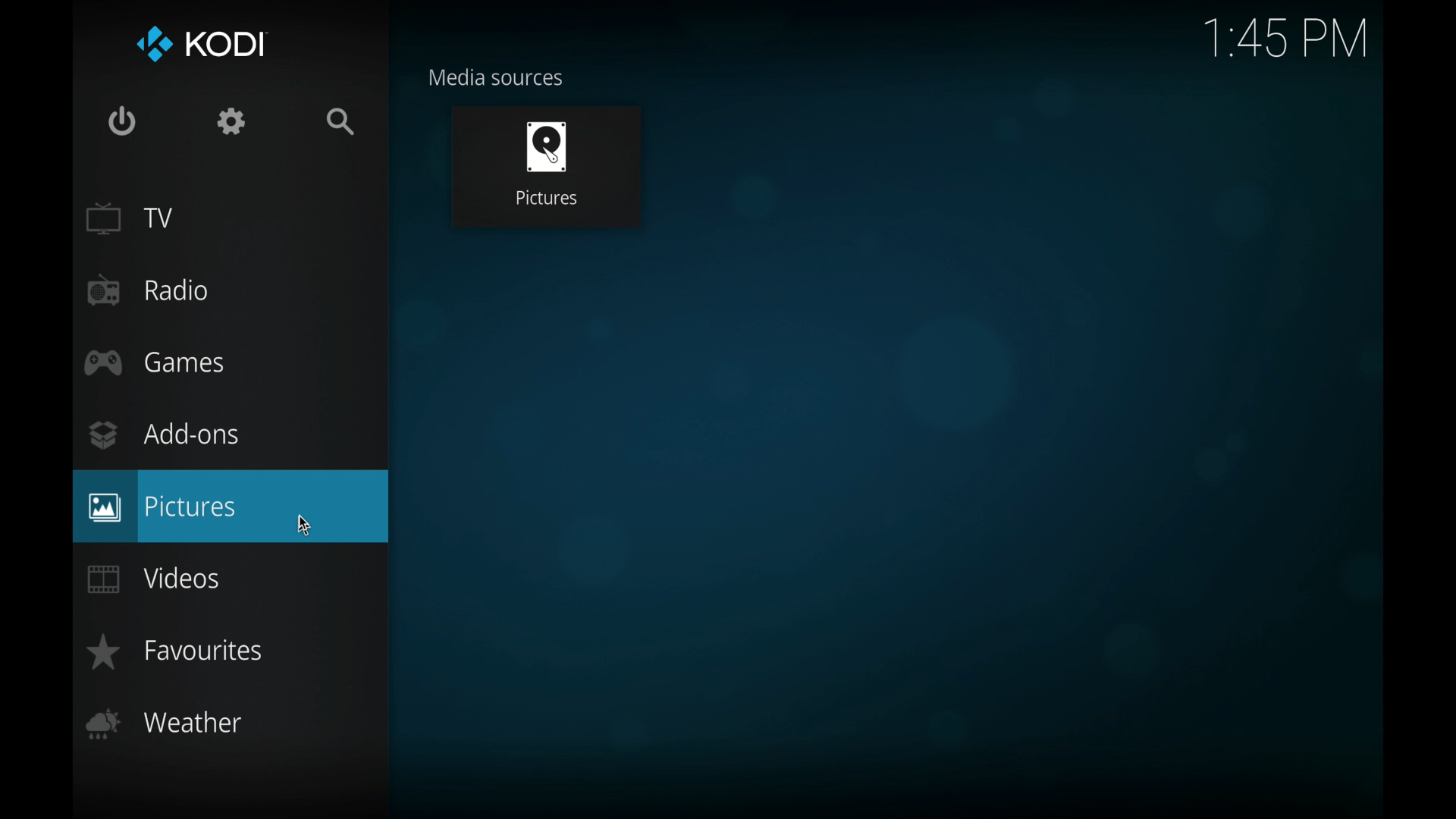 This screenshot has height=819, width=1456. Describe the element at coordinates (199, 45) in the screenshot. I see `kodi` at that location.